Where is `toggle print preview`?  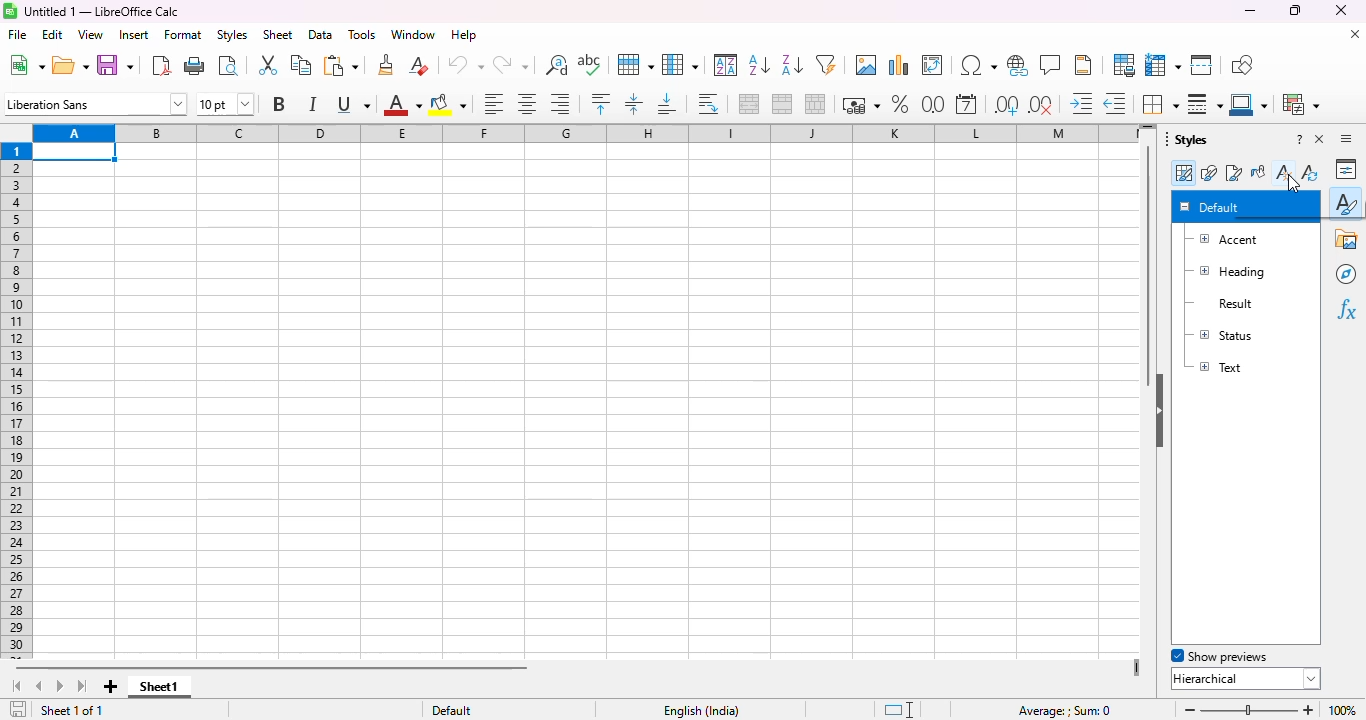
toggle print preview is located at coordinates (228, 65).